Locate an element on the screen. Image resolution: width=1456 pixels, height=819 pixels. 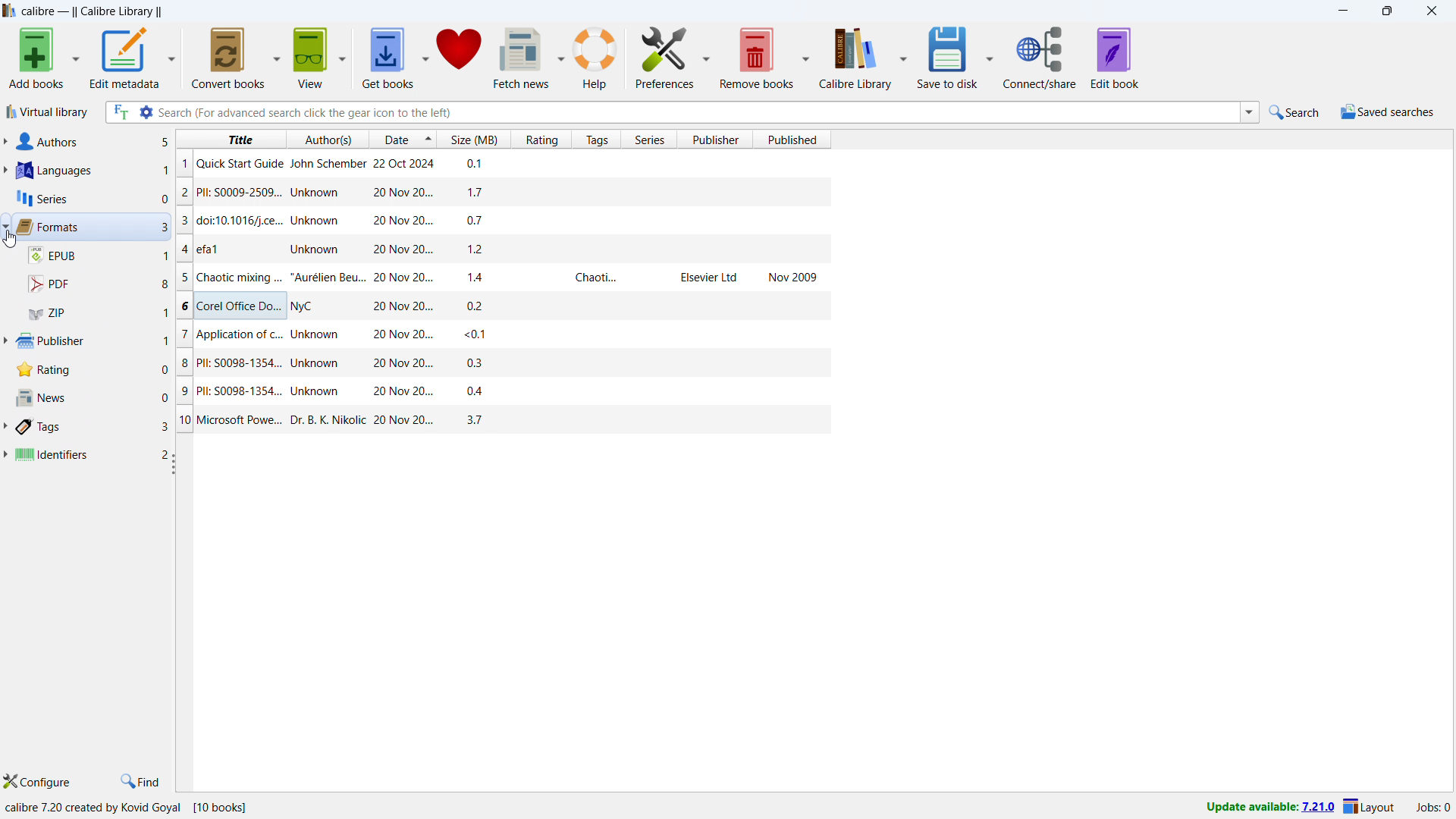
maximize is located at coordinates (1386, 10).